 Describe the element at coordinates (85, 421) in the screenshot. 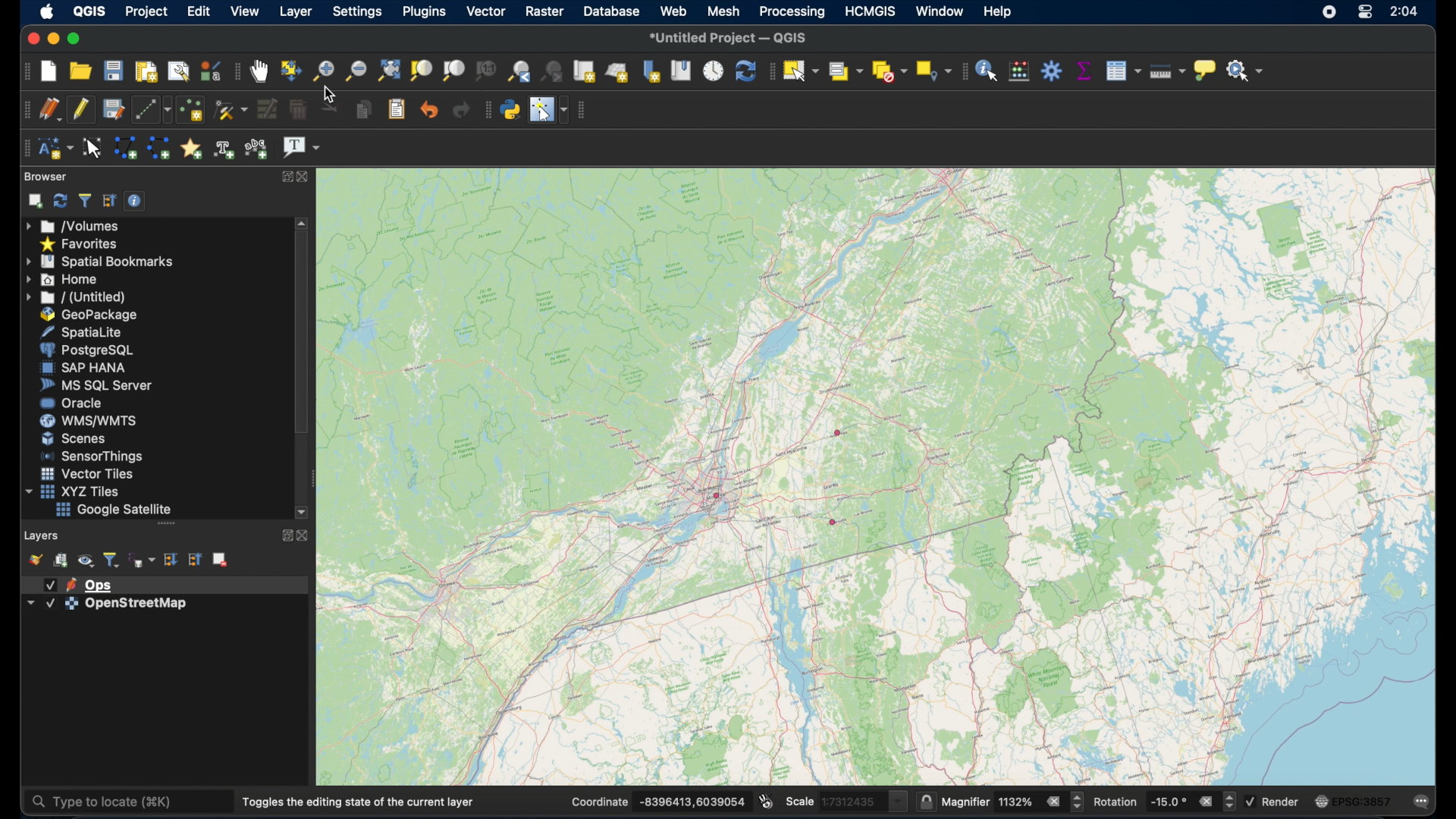

I see `was/wmts` at that location.